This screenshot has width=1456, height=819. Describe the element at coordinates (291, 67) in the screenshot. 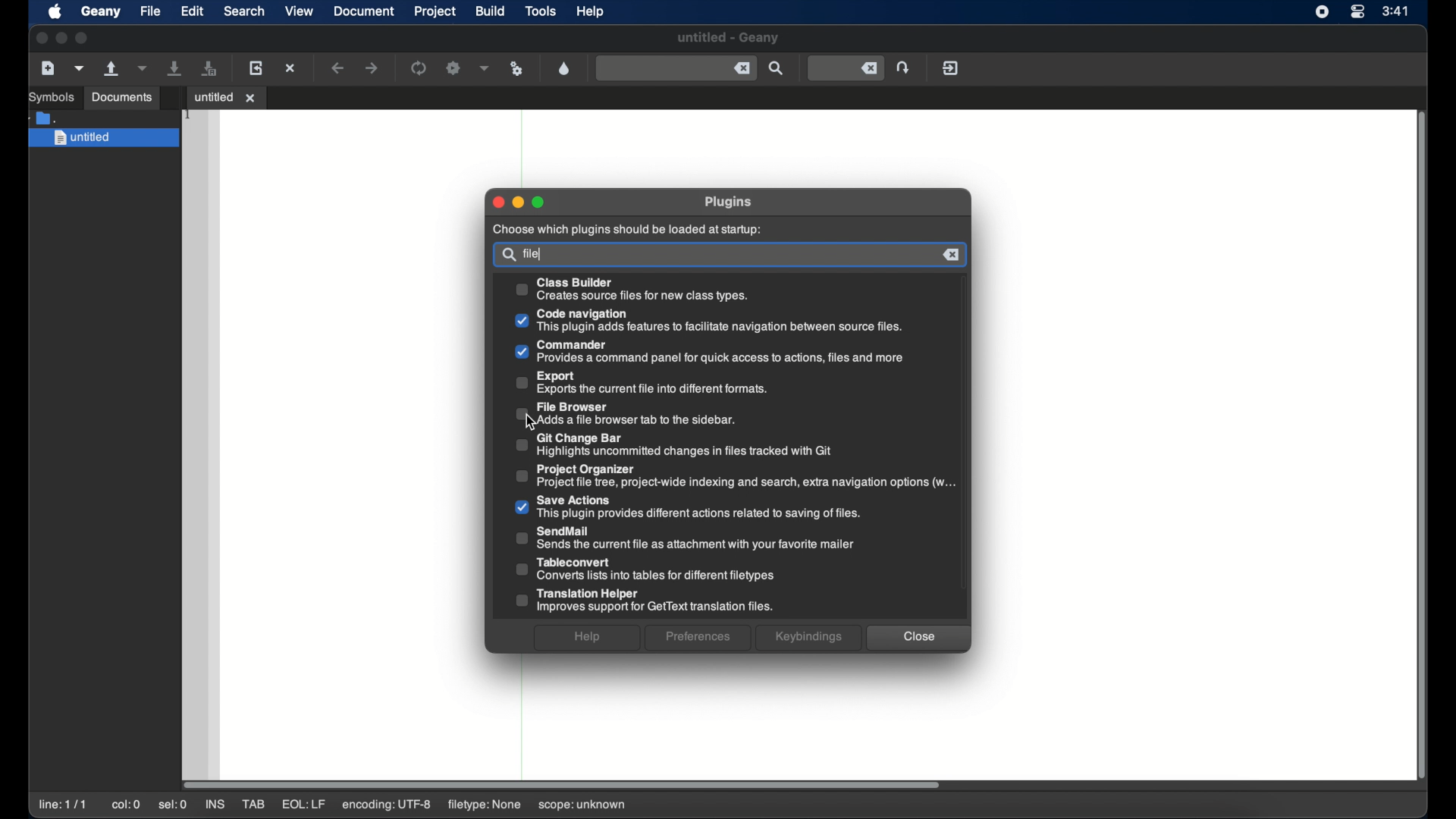

I see `close the current file` at that location.